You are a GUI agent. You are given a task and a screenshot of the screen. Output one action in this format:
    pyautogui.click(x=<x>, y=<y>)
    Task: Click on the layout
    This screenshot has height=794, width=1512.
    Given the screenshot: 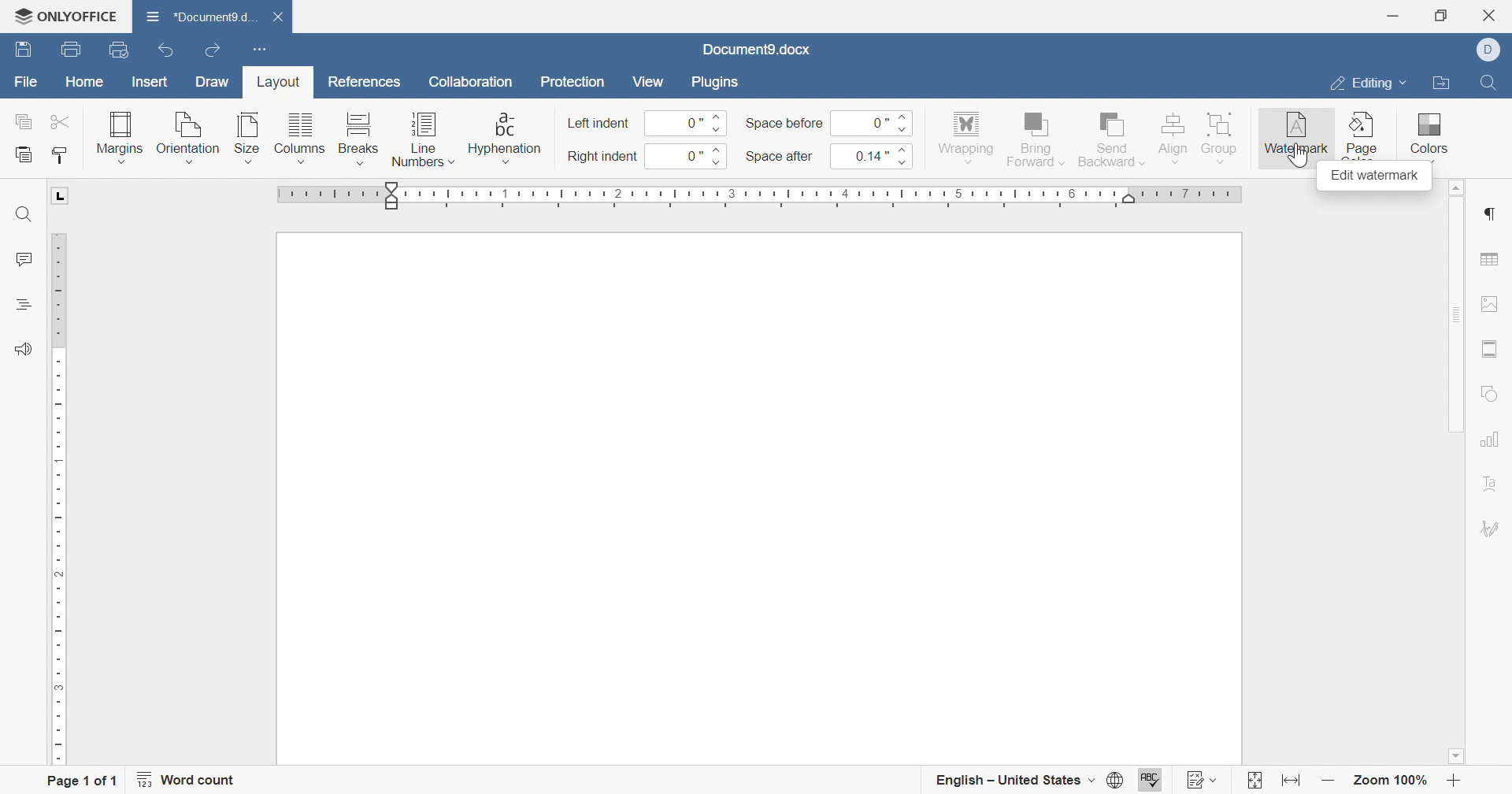 What is the action you would take?
    pyautogui.click(x=275, y=85)
    